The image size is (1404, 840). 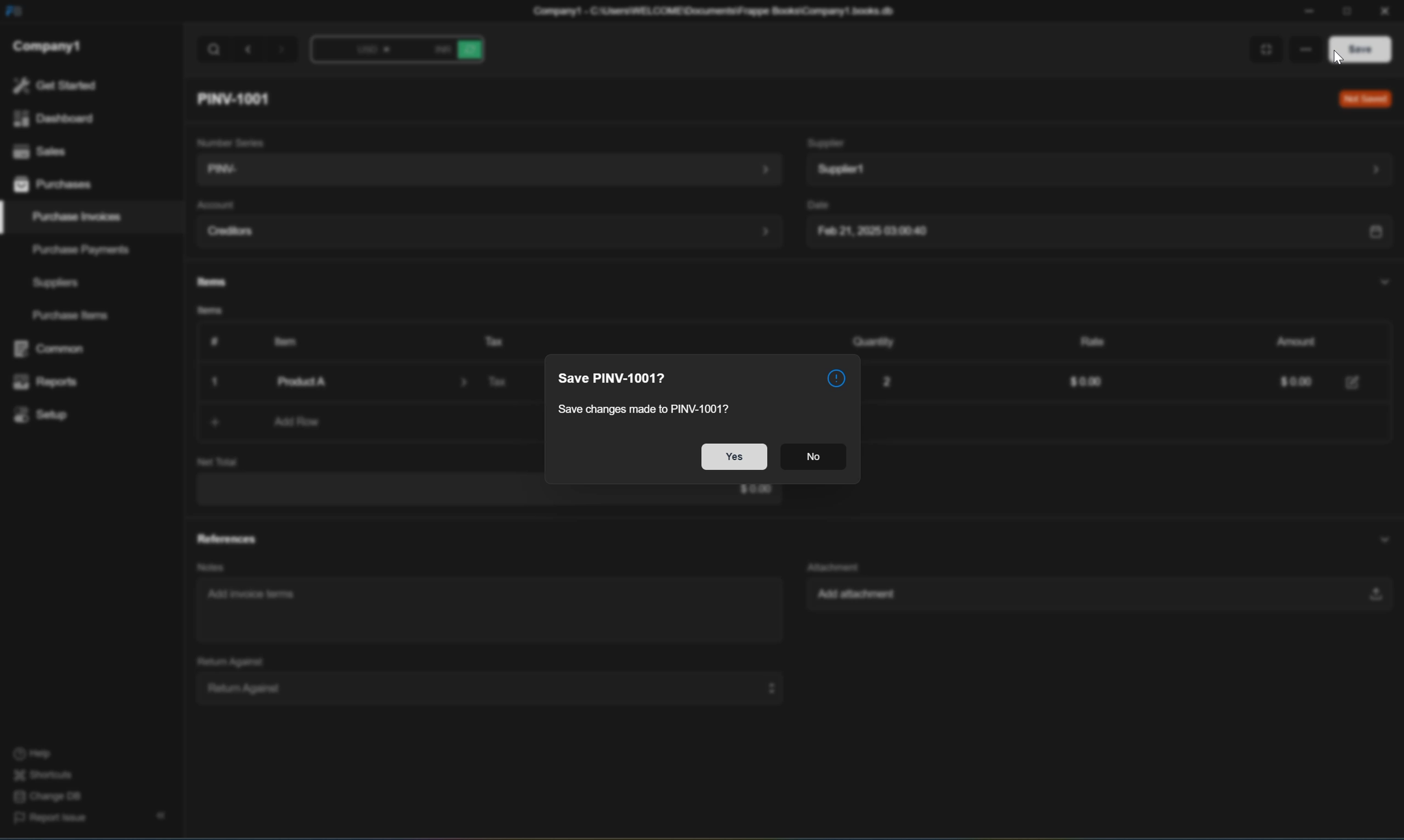 What do you see at coordinates (1381, 281) in the screenshot?
I see `Hide` at bounding box center [1381, 281].